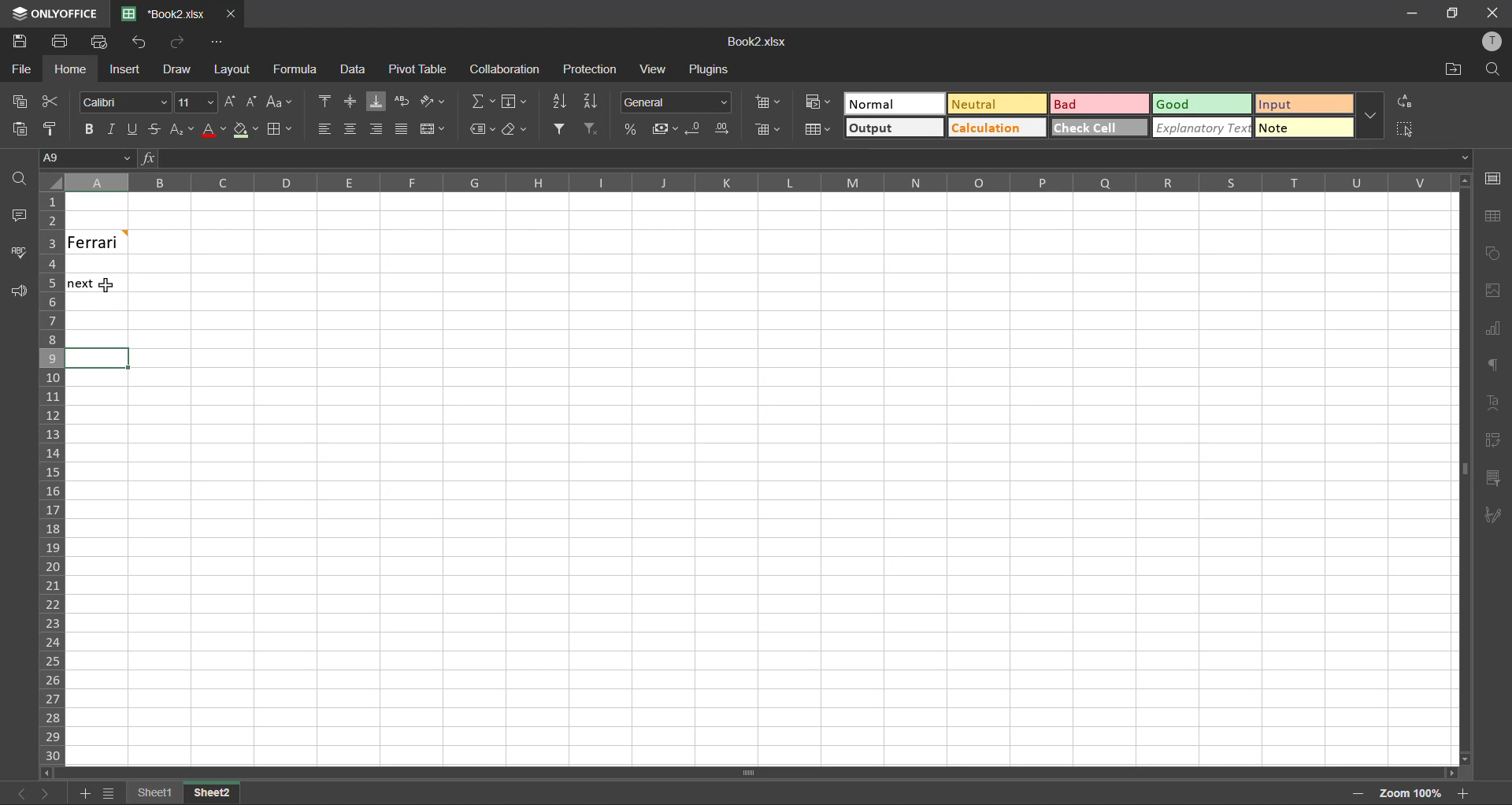  I want to click on filter, so click(558, 127).